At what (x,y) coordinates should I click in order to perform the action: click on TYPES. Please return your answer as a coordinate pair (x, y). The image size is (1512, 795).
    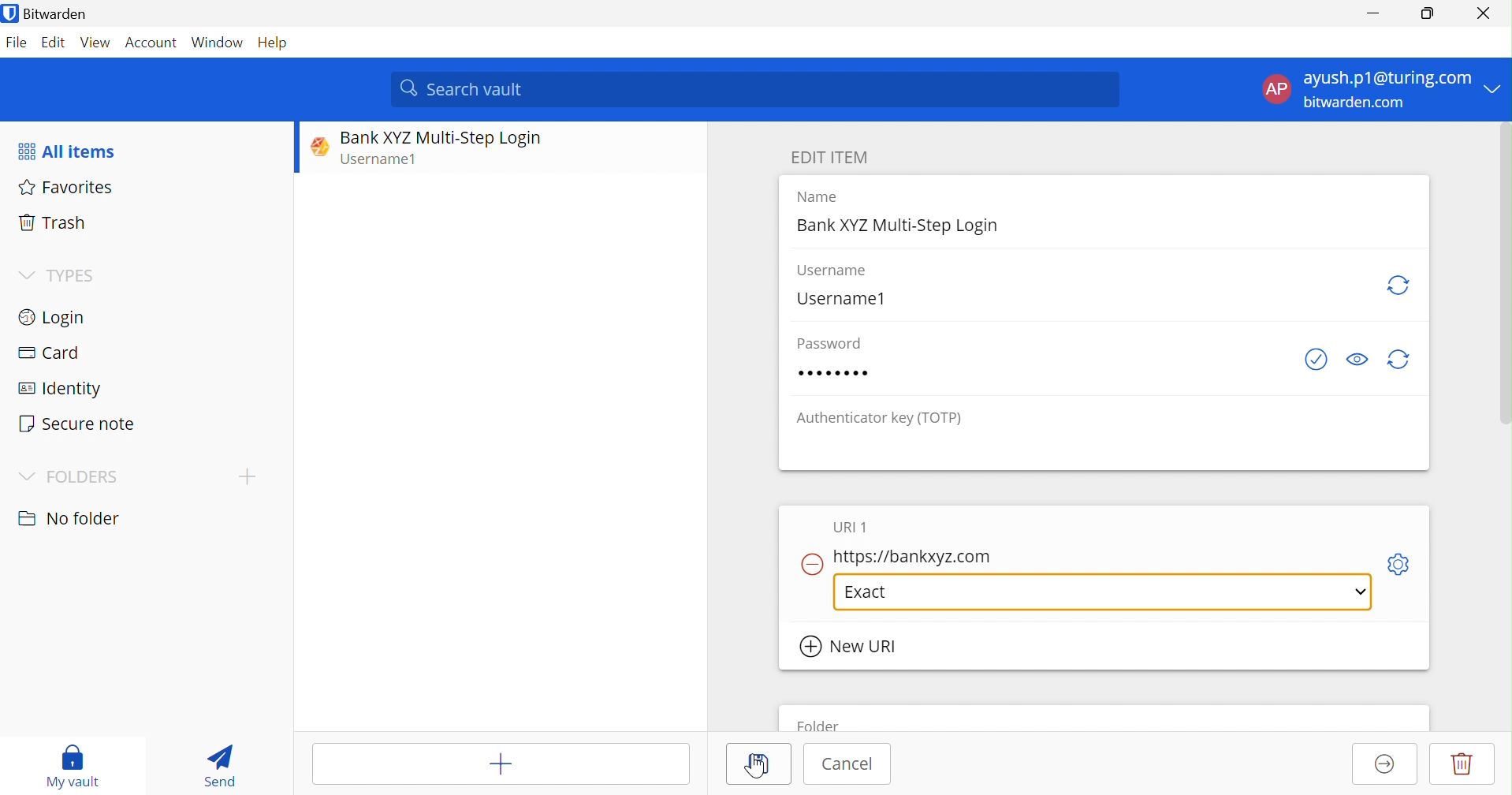
    Looking at the image, I should click on (76, 275).